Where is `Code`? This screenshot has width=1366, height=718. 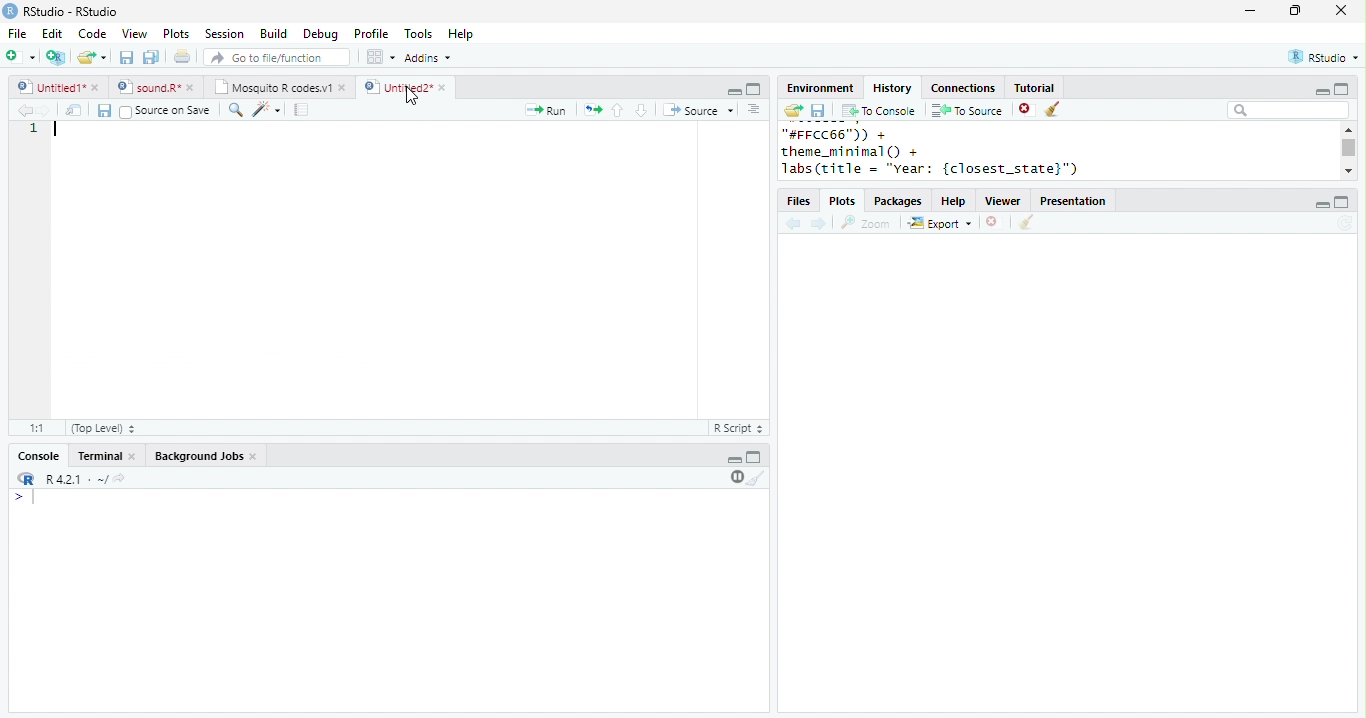
Code is located at coordinates (92, 33).